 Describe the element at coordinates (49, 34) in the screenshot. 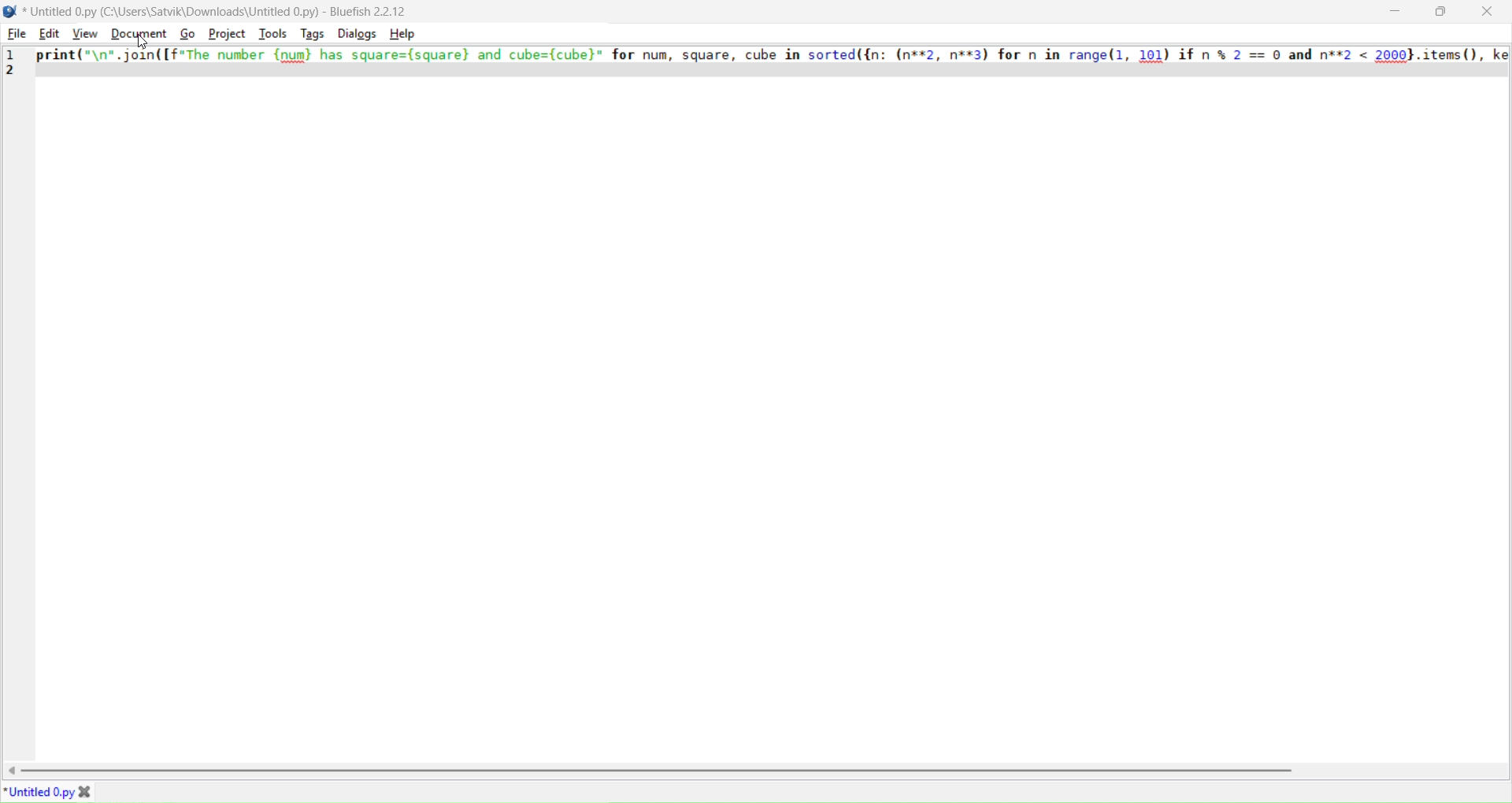

I see `edit` at that location.